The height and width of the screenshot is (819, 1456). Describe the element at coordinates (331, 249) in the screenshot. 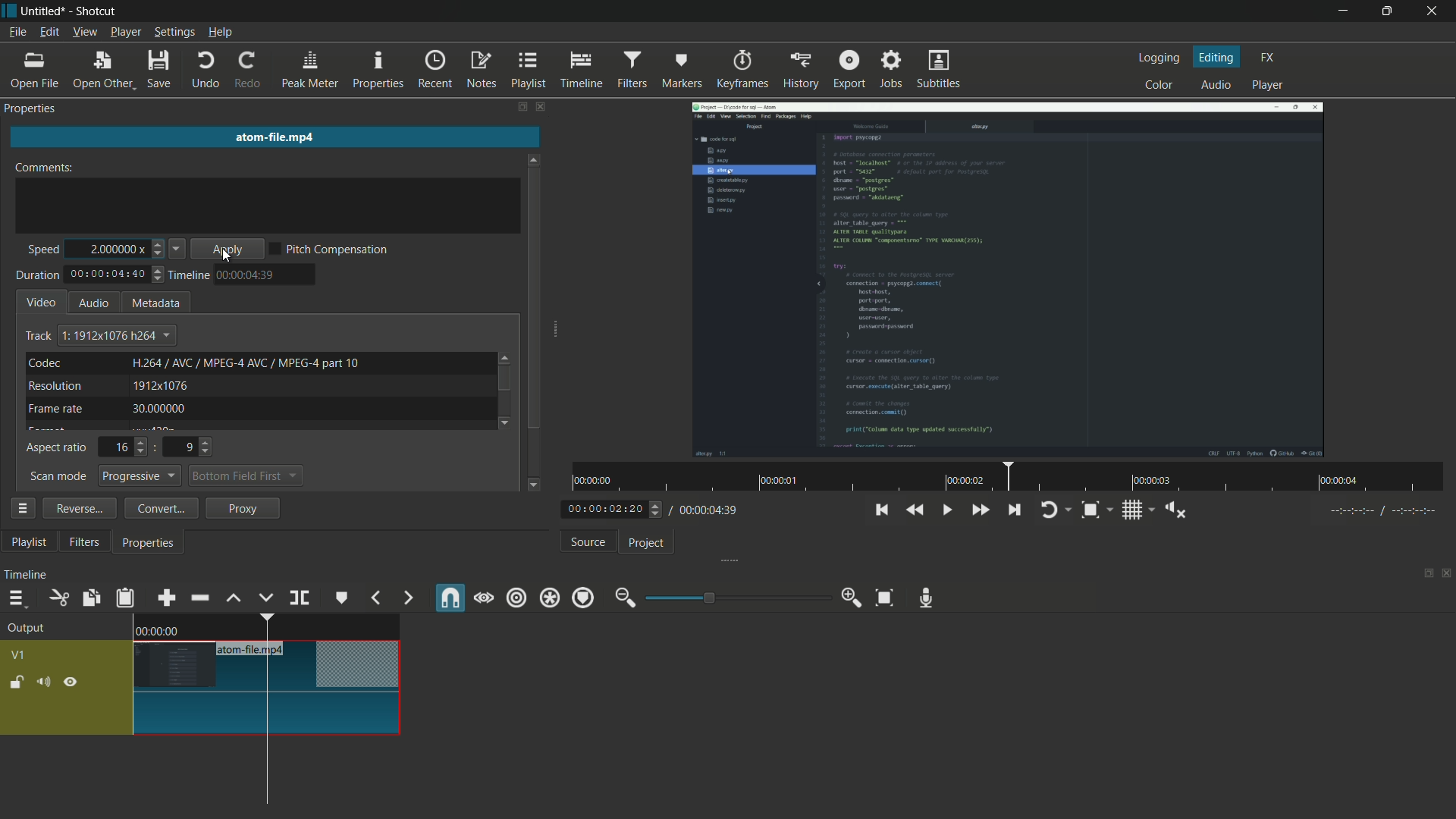

I see `pitch compensation` at that location.